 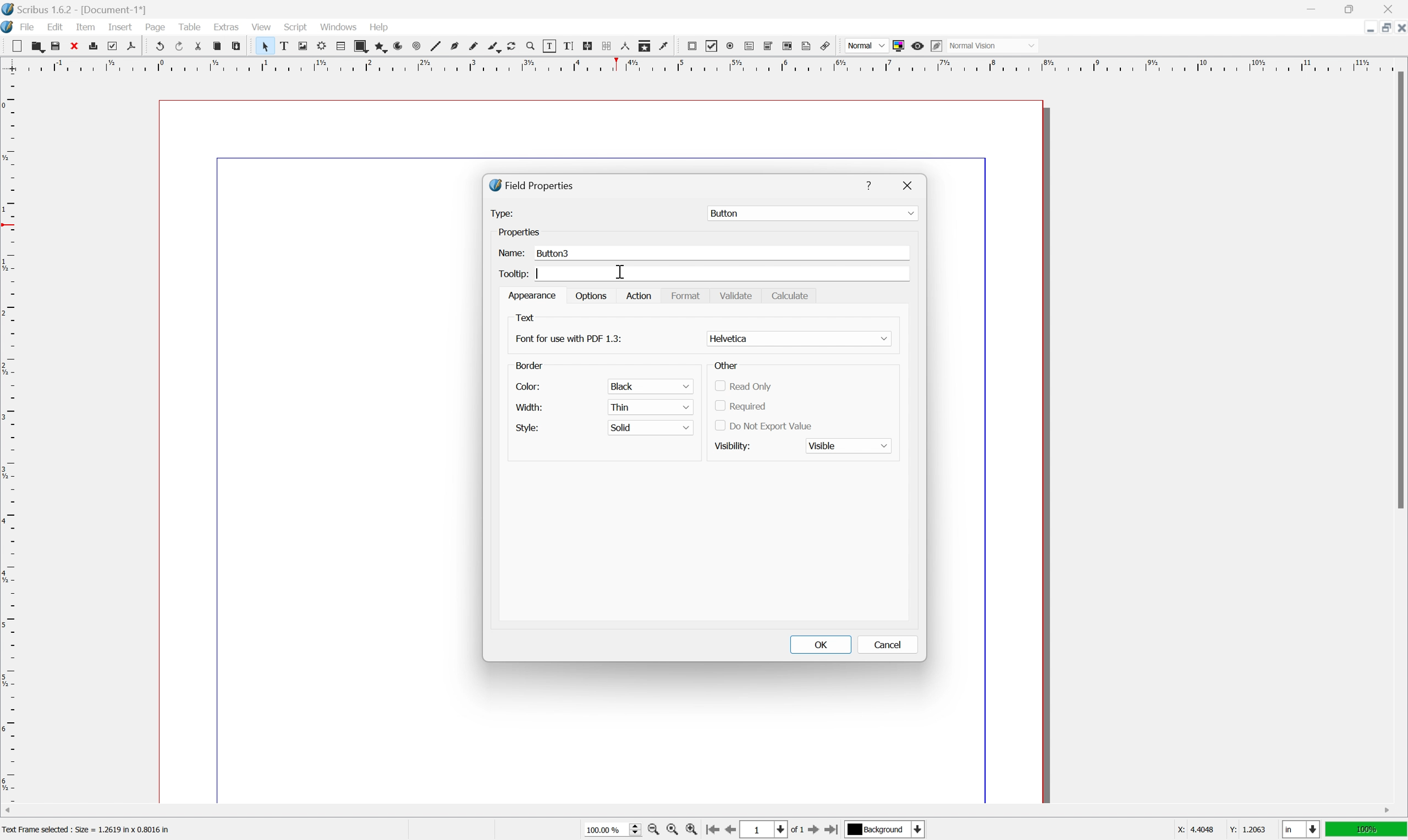 What do you see at coordinates (736, 444) in the screenshot?
I see `visibility` at bounding box center [736, 444].